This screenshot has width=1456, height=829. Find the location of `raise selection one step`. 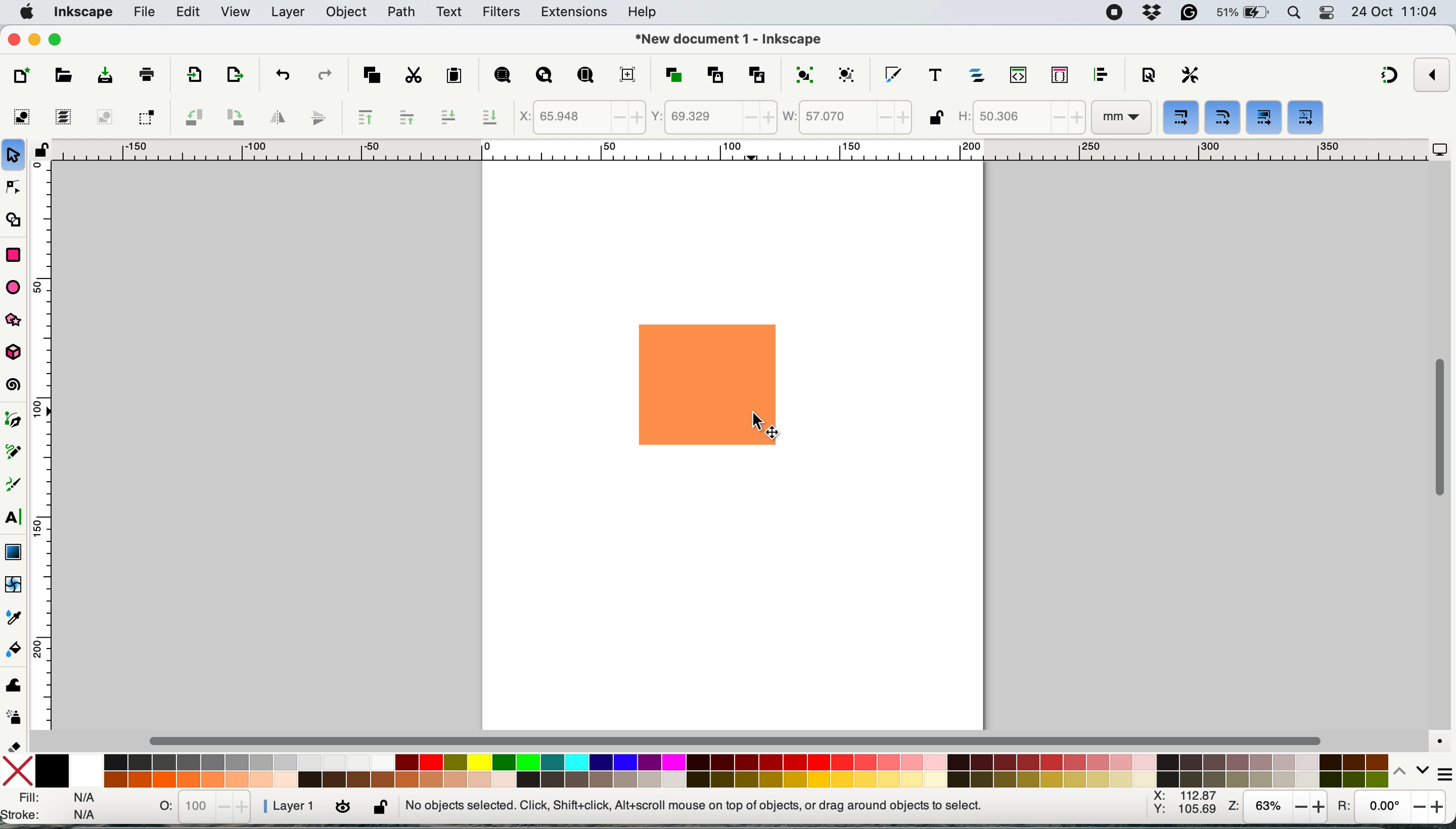

raise selection one step is located at coordinates (406, 118).